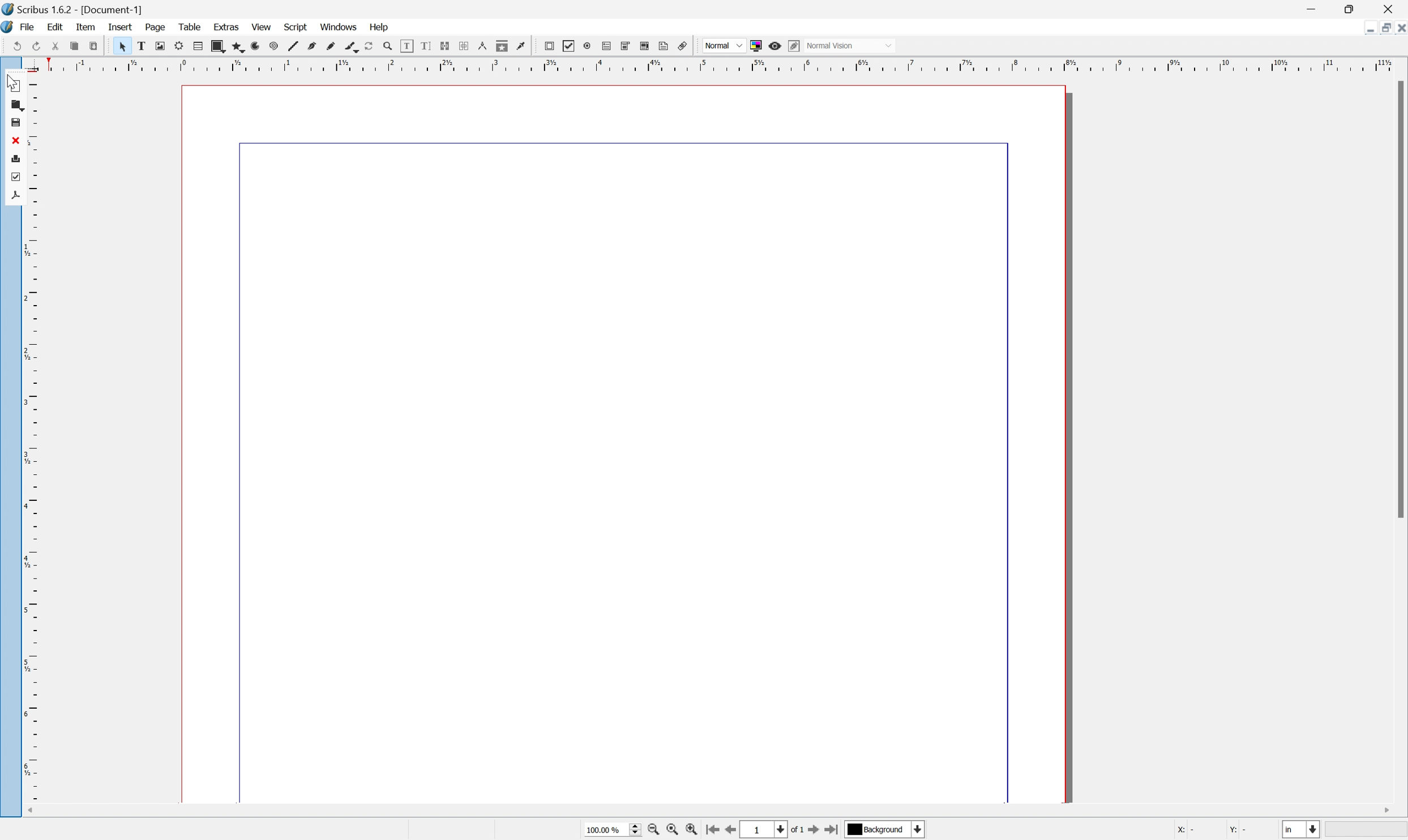  I want to click on script, so click(297, 28).